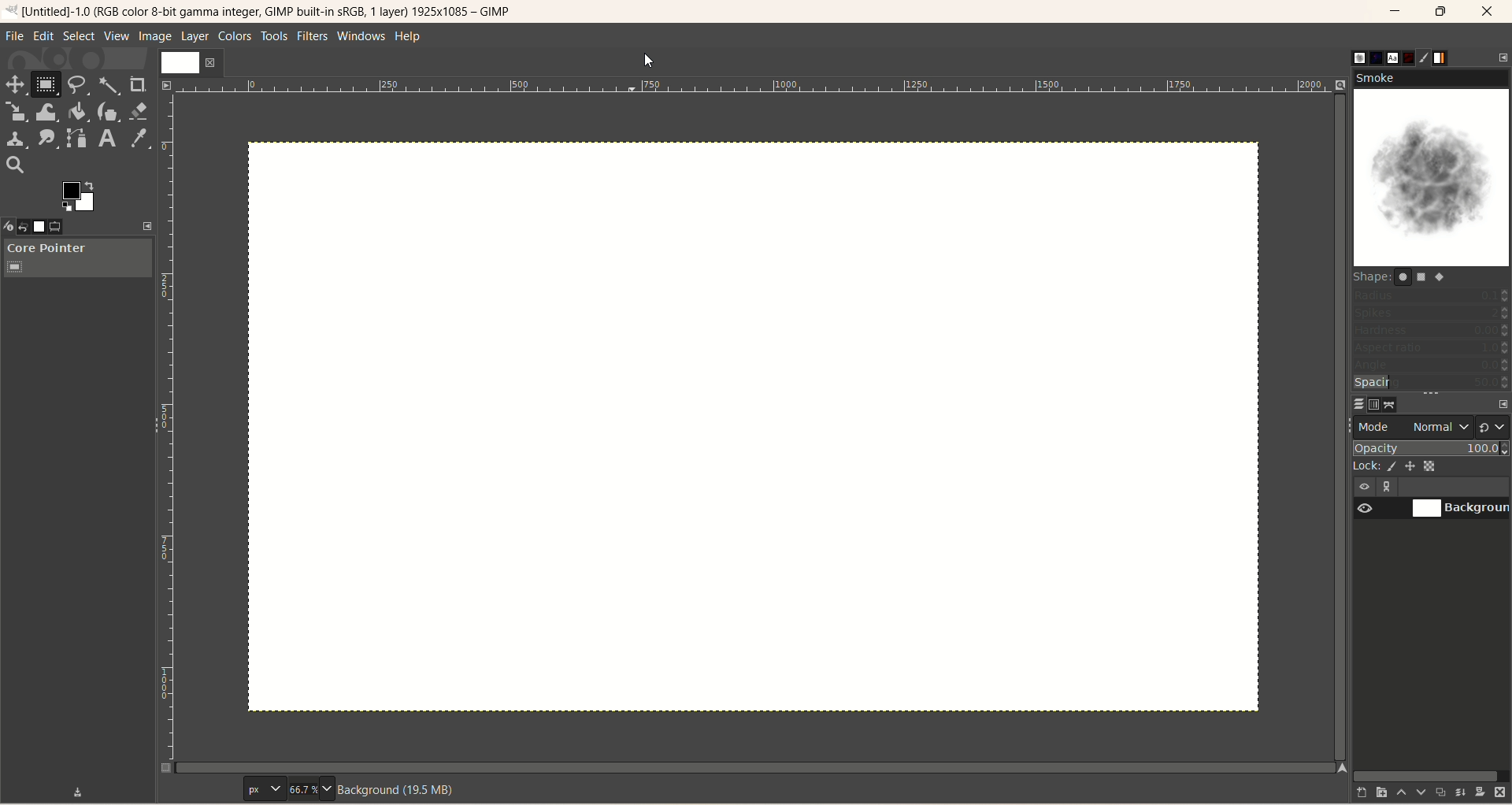  Describe the element at coordinates (1349, 403) in the screenshot. I see `layers` at that location.